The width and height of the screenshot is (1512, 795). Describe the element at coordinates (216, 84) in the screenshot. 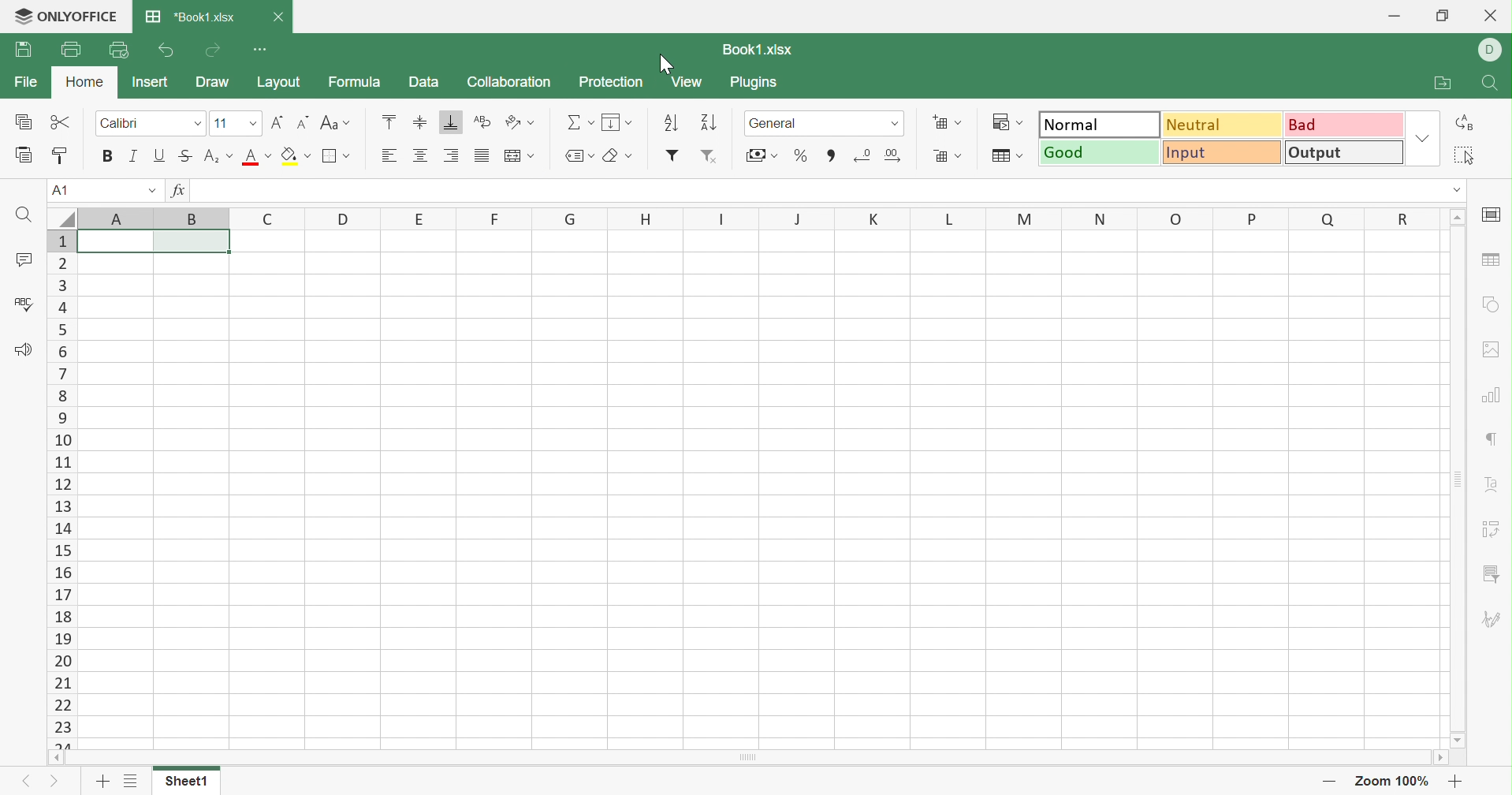

I see `Draw` at that location.